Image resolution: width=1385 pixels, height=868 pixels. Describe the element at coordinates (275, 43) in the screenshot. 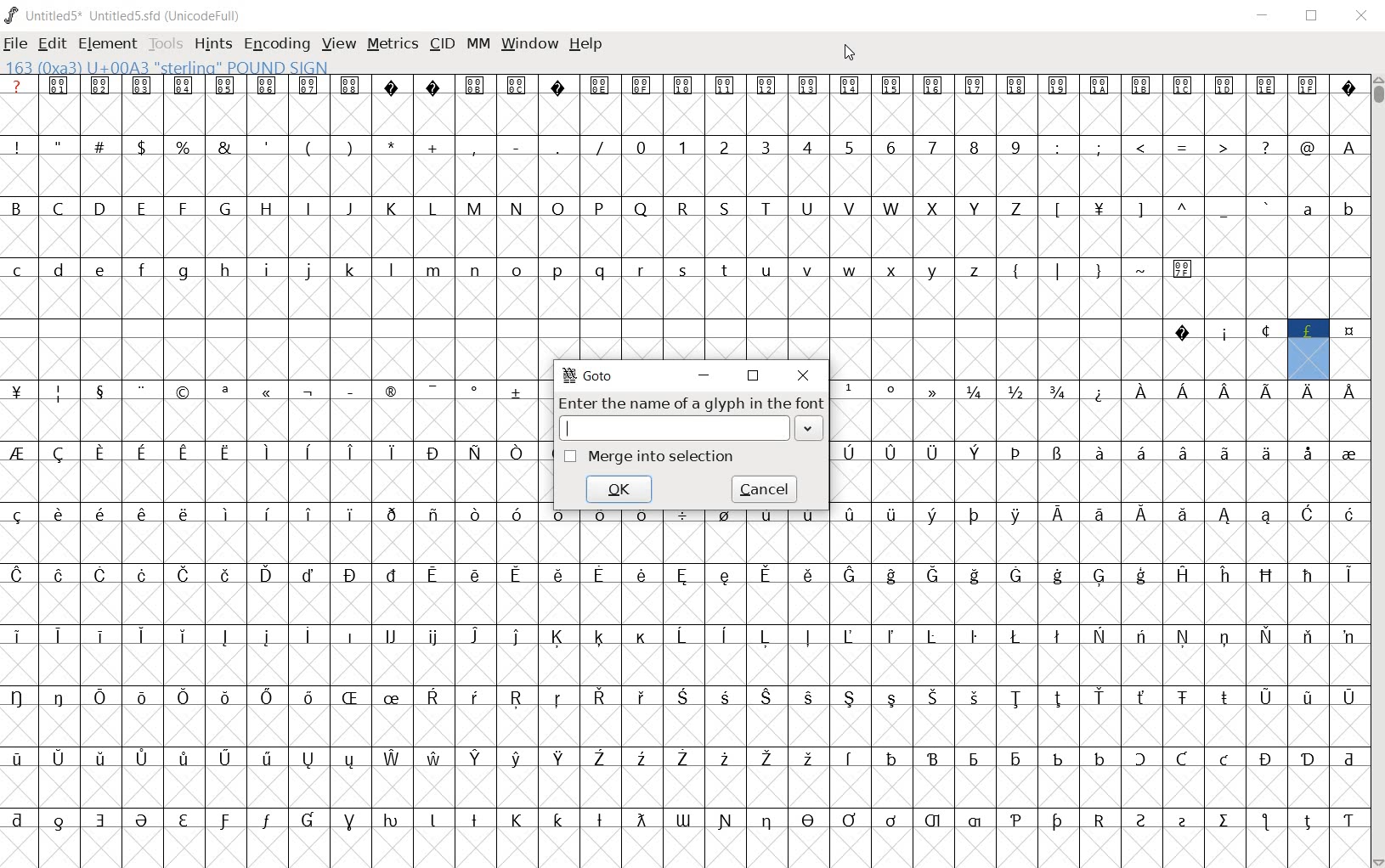

I see `ENCODING` at that location.